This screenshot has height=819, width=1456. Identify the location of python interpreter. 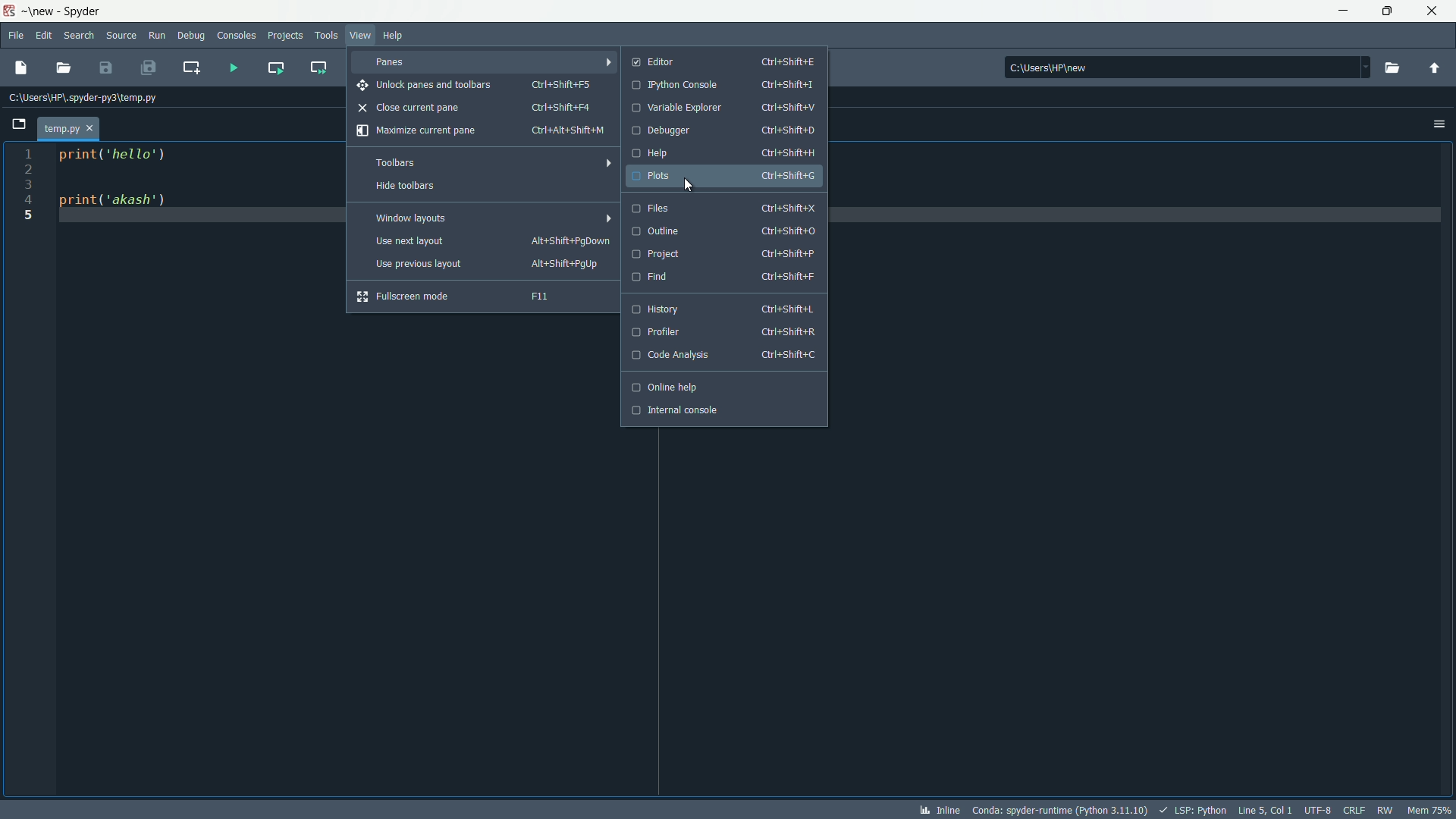
(1059, 810).